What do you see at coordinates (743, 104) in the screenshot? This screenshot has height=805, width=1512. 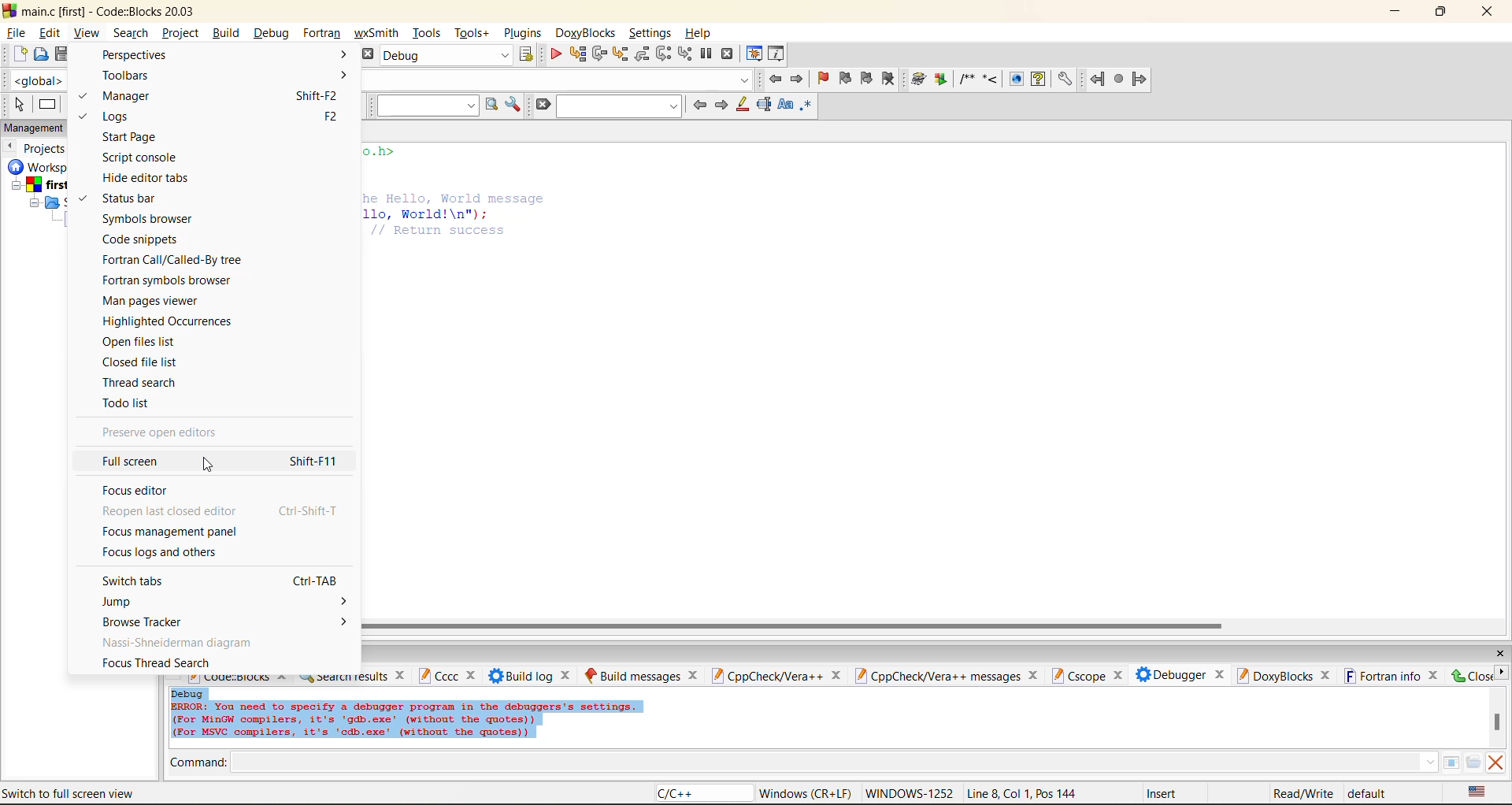 I see `highlight` at bounding box center [743, 104].